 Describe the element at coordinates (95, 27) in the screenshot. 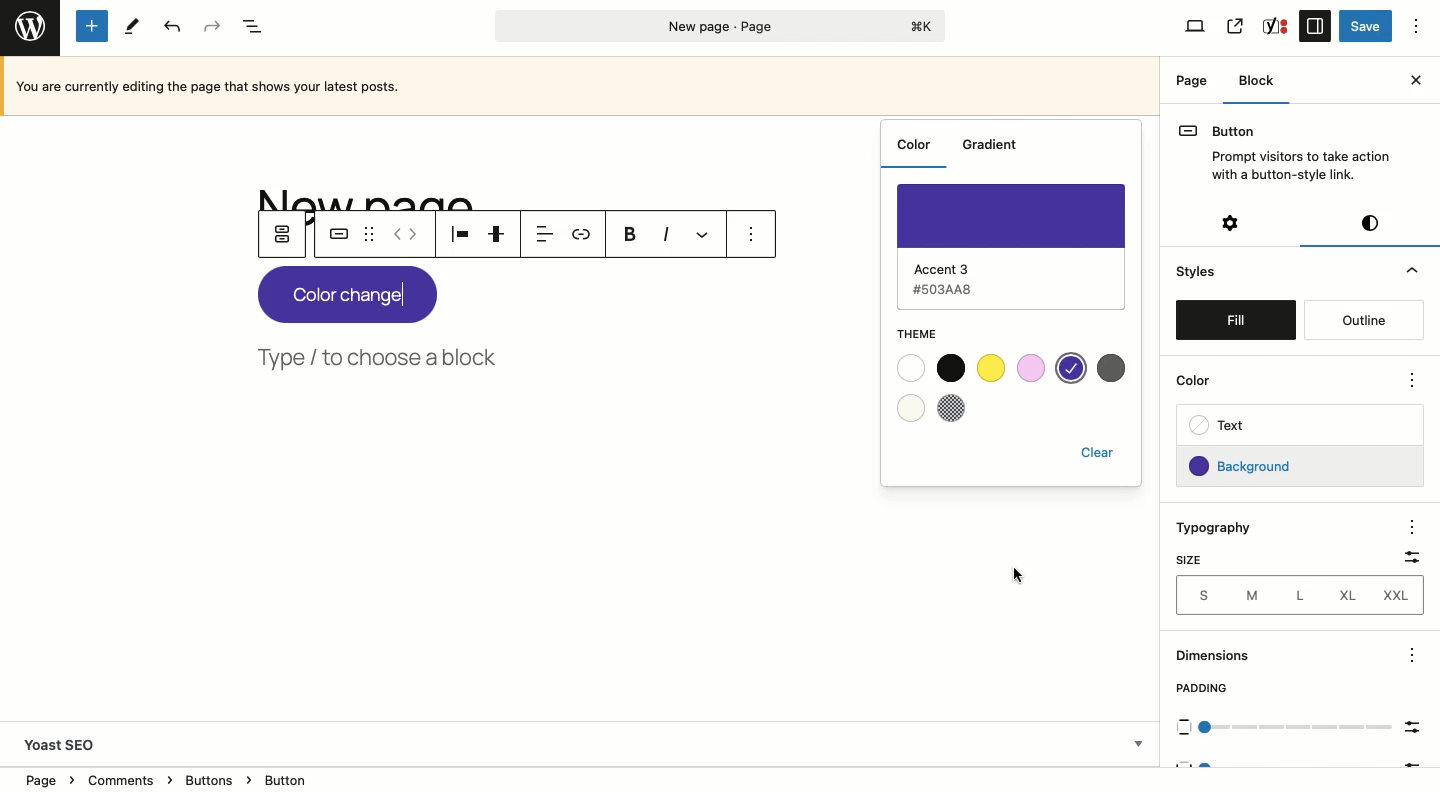

I see `Add new block` at that location.